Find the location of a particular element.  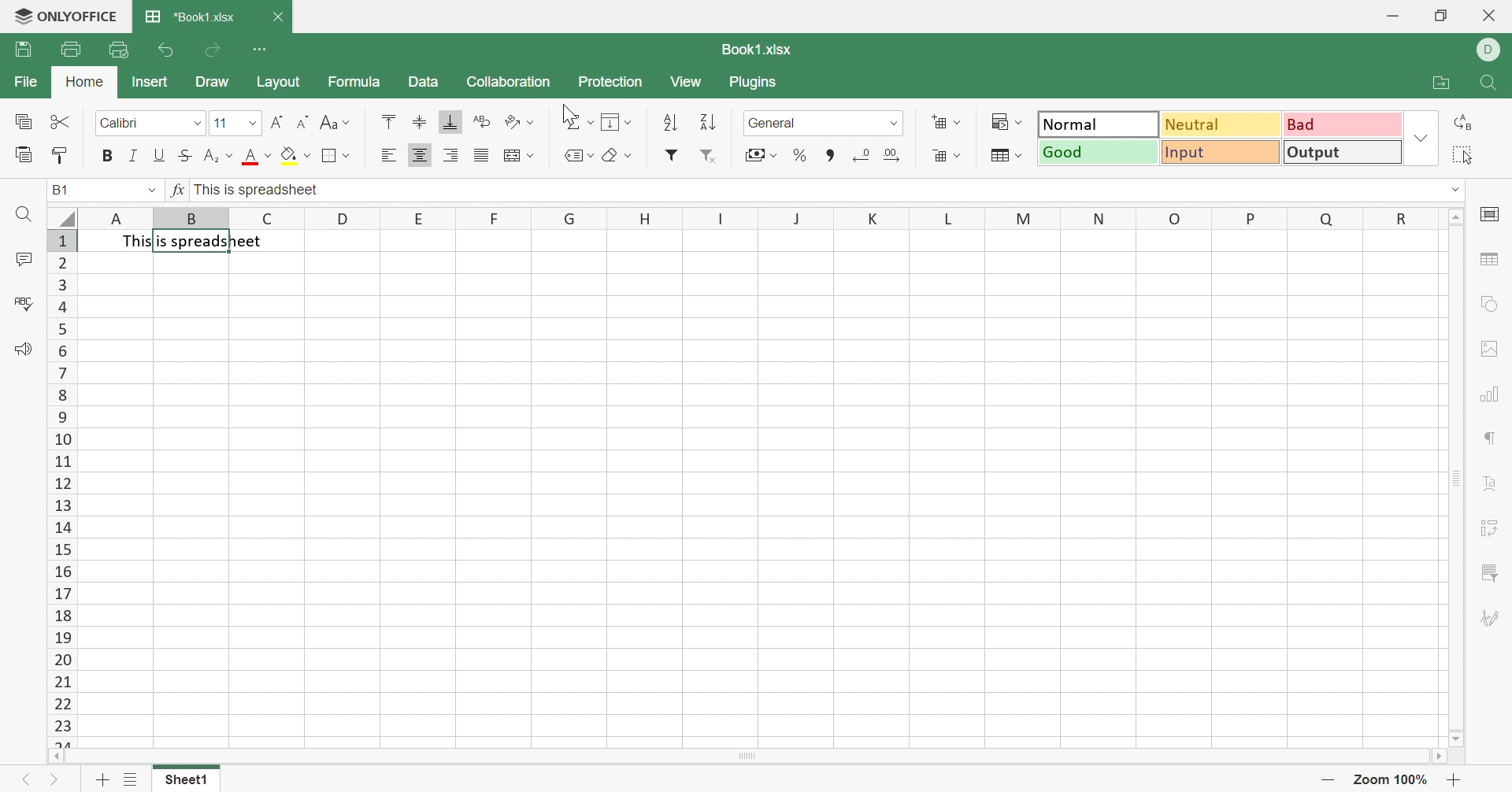

Neutral is located at coordinates (1221, 125).